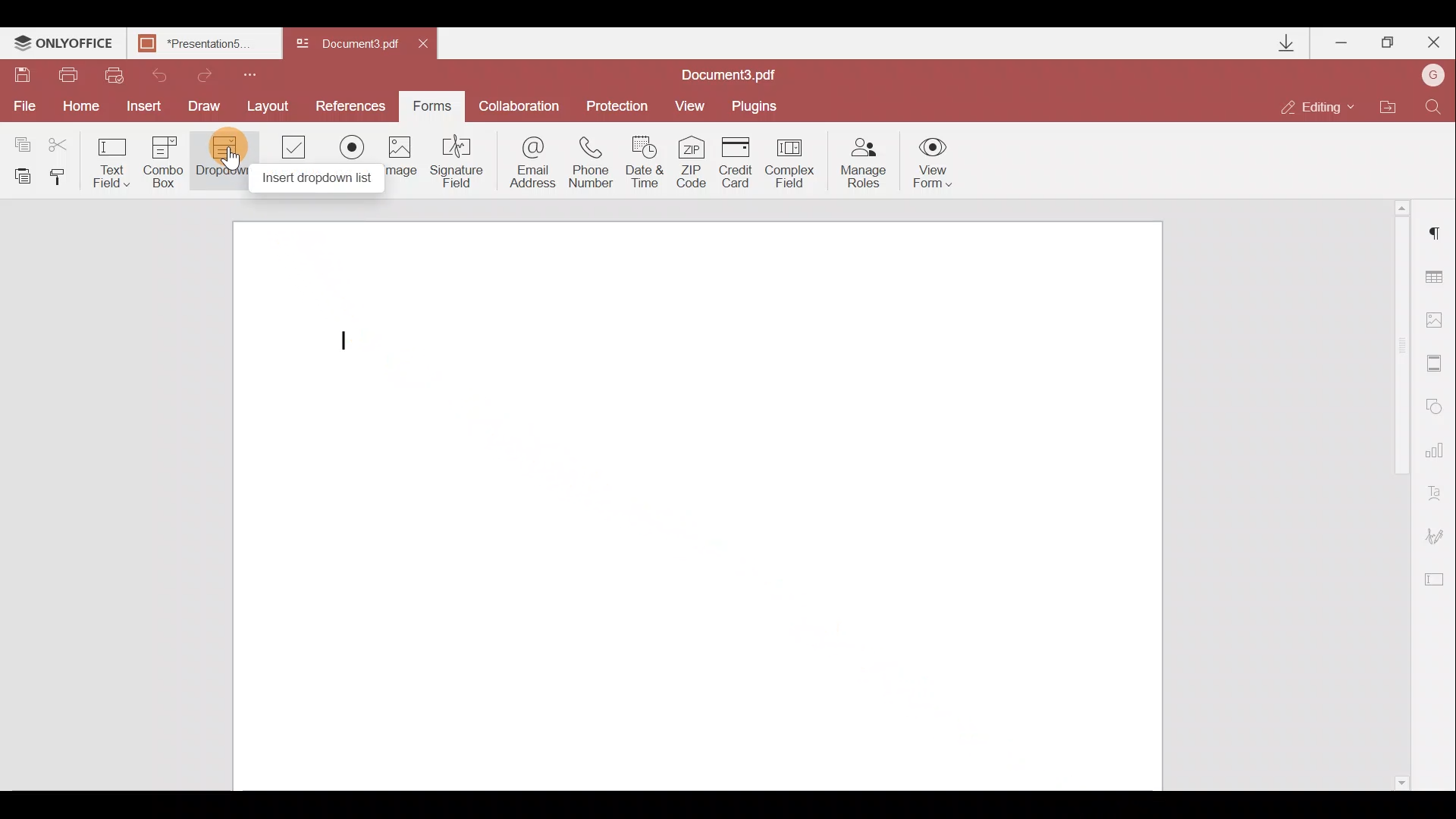 Image resolution: width=1456 pixels, height=819 pixels. I want to click on Draw, so click(205, 105).